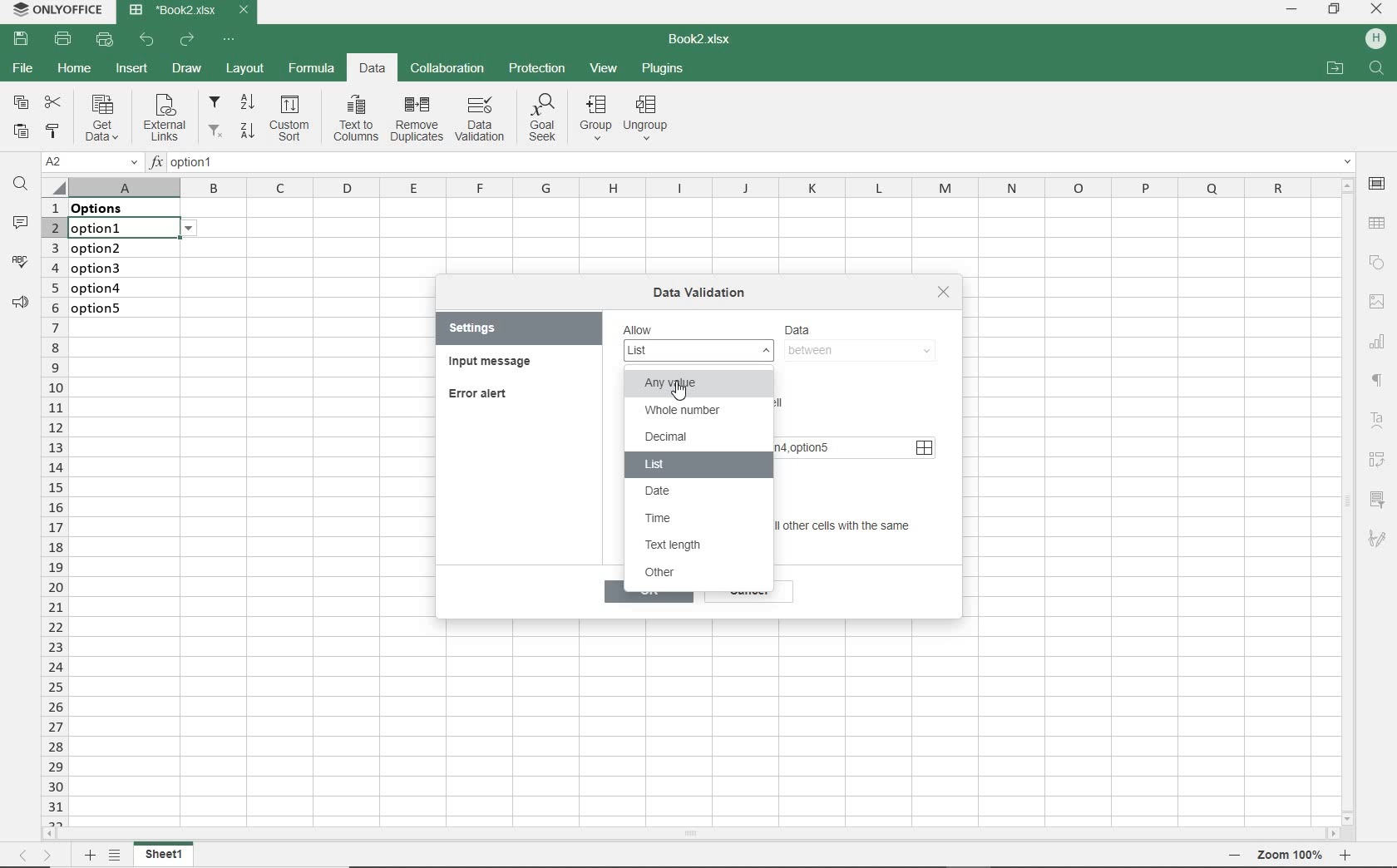 The width and height of the screenshot is (1397, 868). What do you see at coordinates (666, 573) in the screenshot?
I see `other` at bounding box center [666, 573].